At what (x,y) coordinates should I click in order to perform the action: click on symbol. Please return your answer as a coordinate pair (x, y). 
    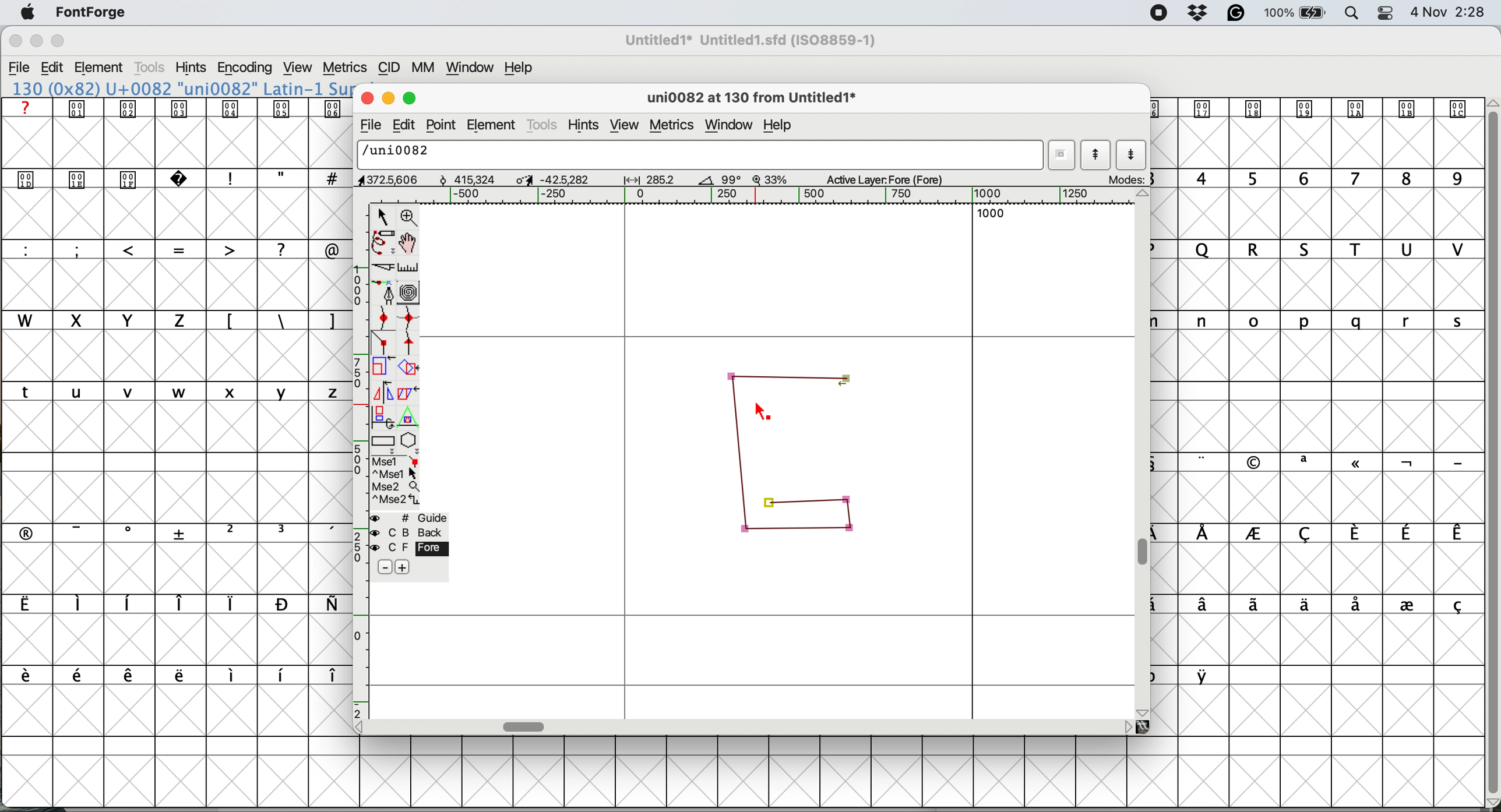
    Looking at the image, I should click on (1313, 108).